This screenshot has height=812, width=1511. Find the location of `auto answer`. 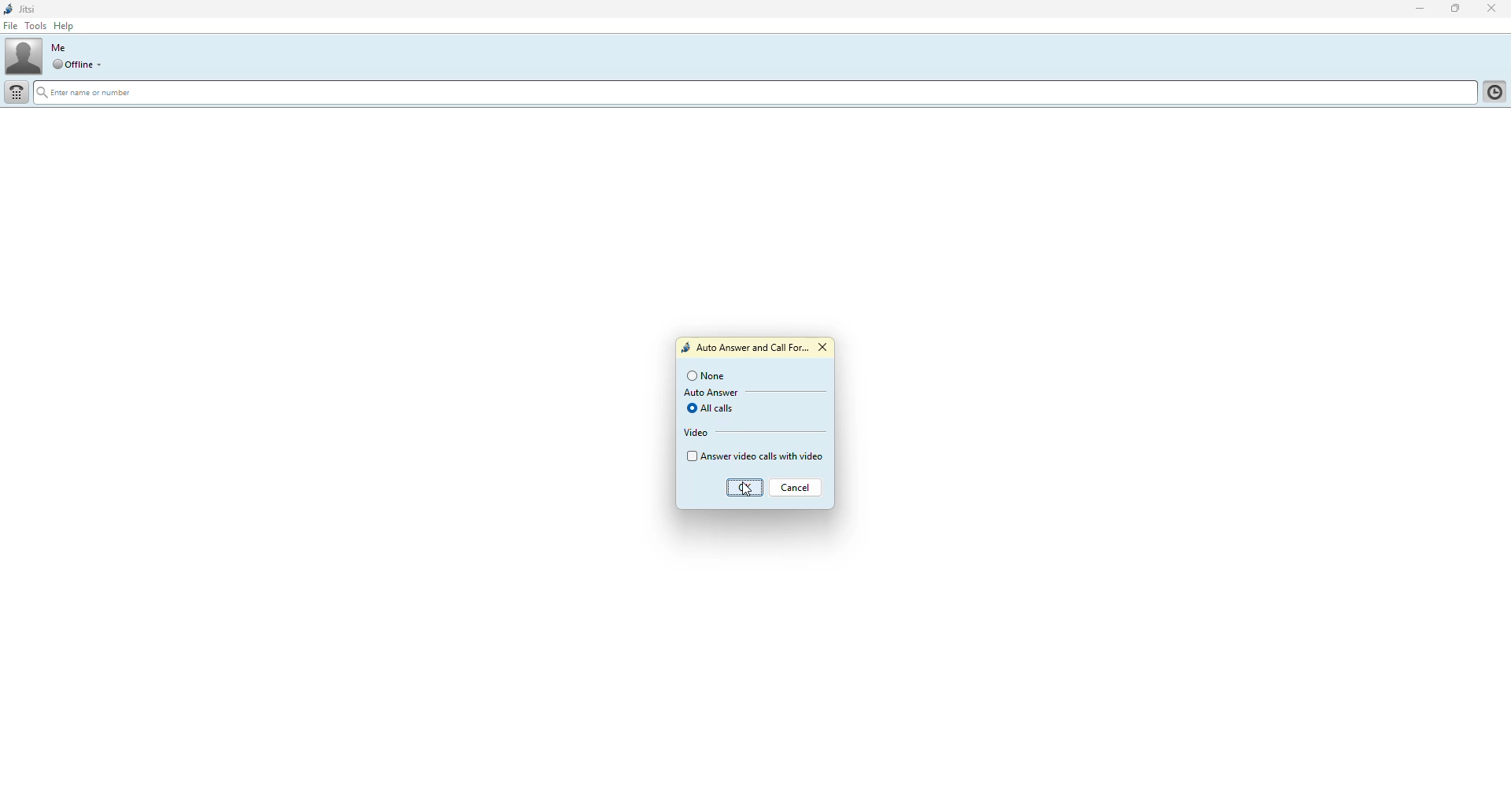

auto answer is located at coordinates (711, 393).